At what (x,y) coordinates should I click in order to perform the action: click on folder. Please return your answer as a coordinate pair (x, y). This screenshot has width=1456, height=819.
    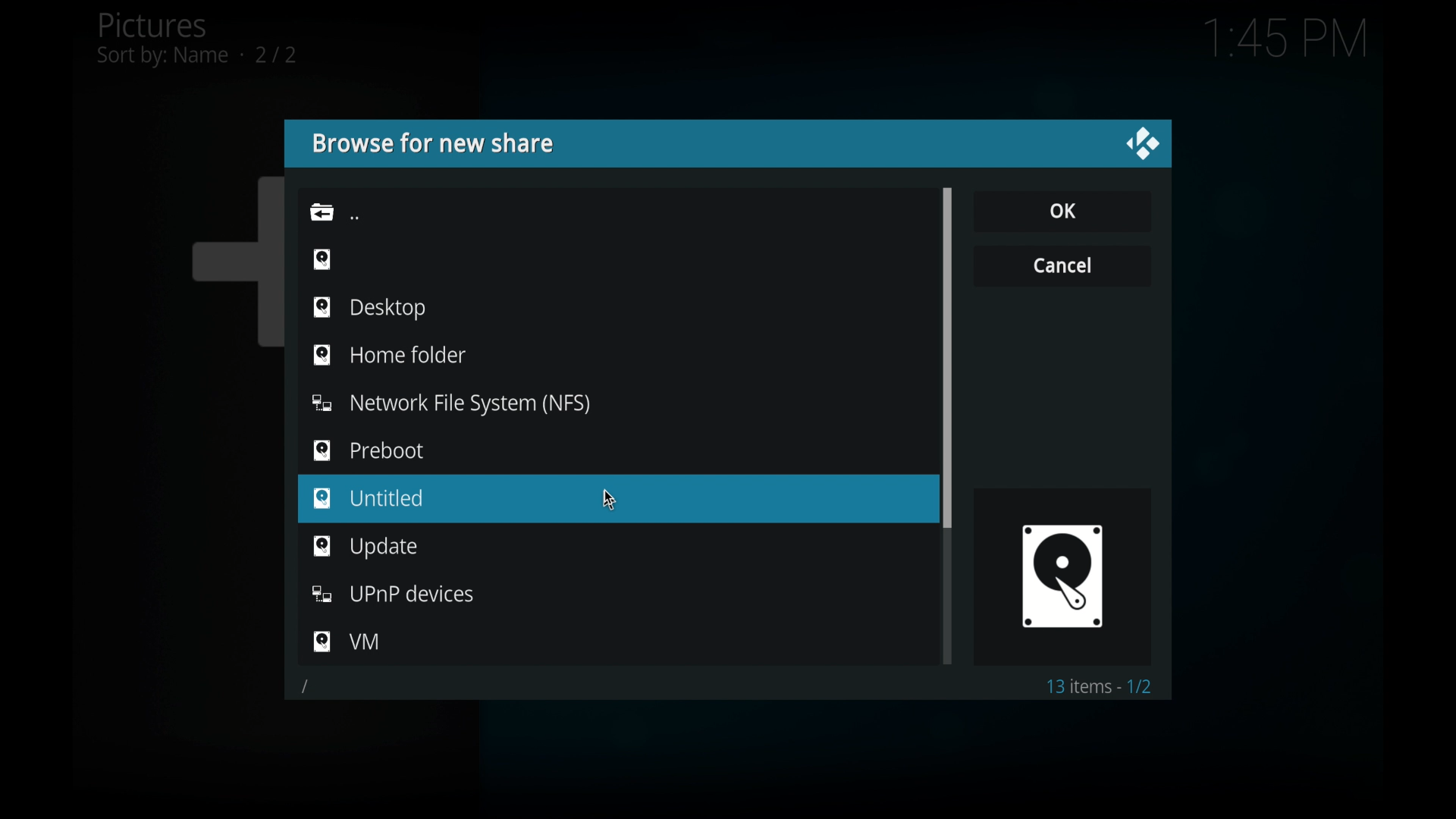
    Looking at the image, I should click on (399, 593).